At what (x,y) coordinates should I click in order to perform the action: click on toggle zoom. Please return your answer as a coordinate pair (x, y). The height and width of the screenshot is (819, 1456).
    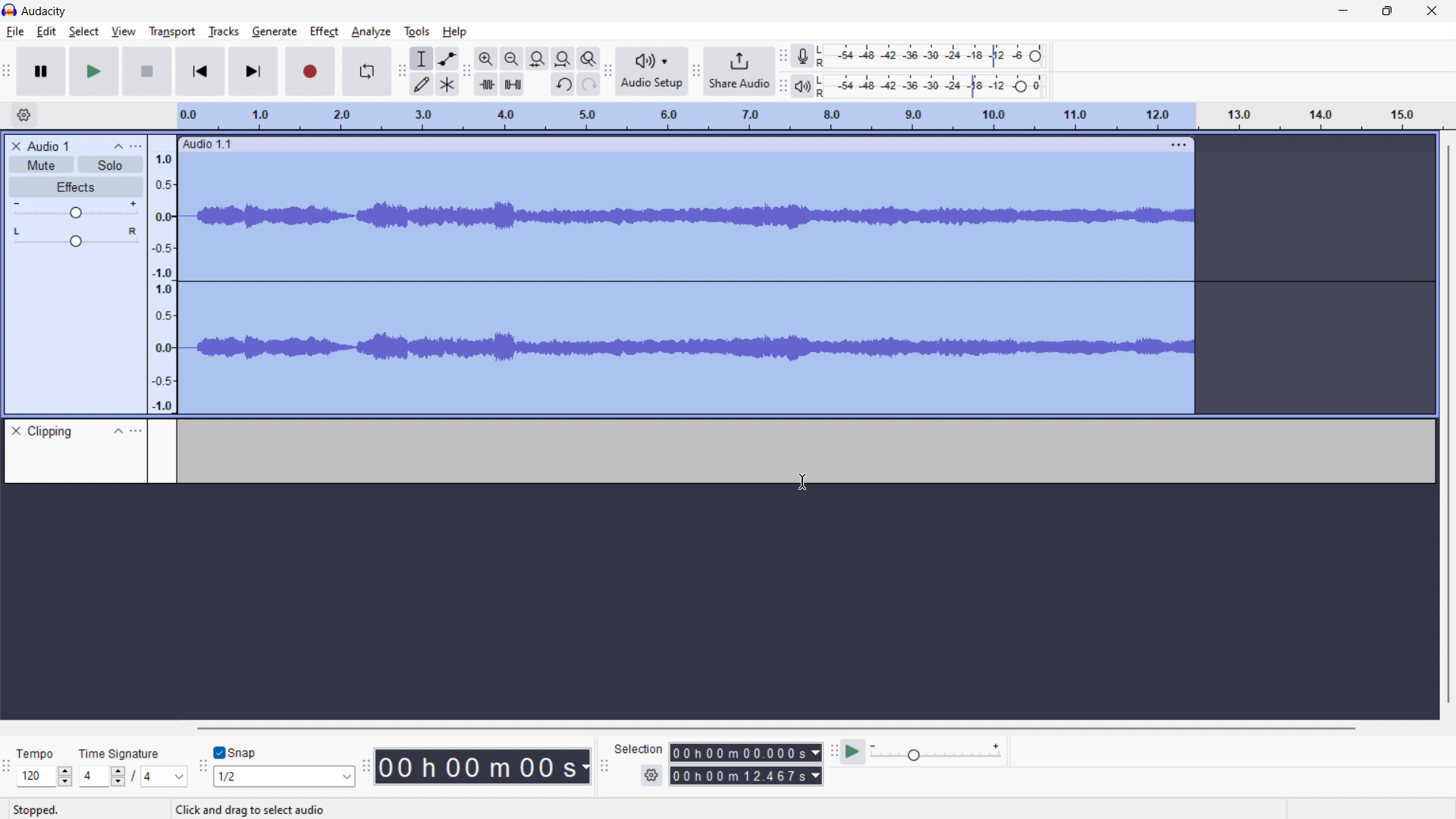
    Looking at the image, I should click on (588, 58).